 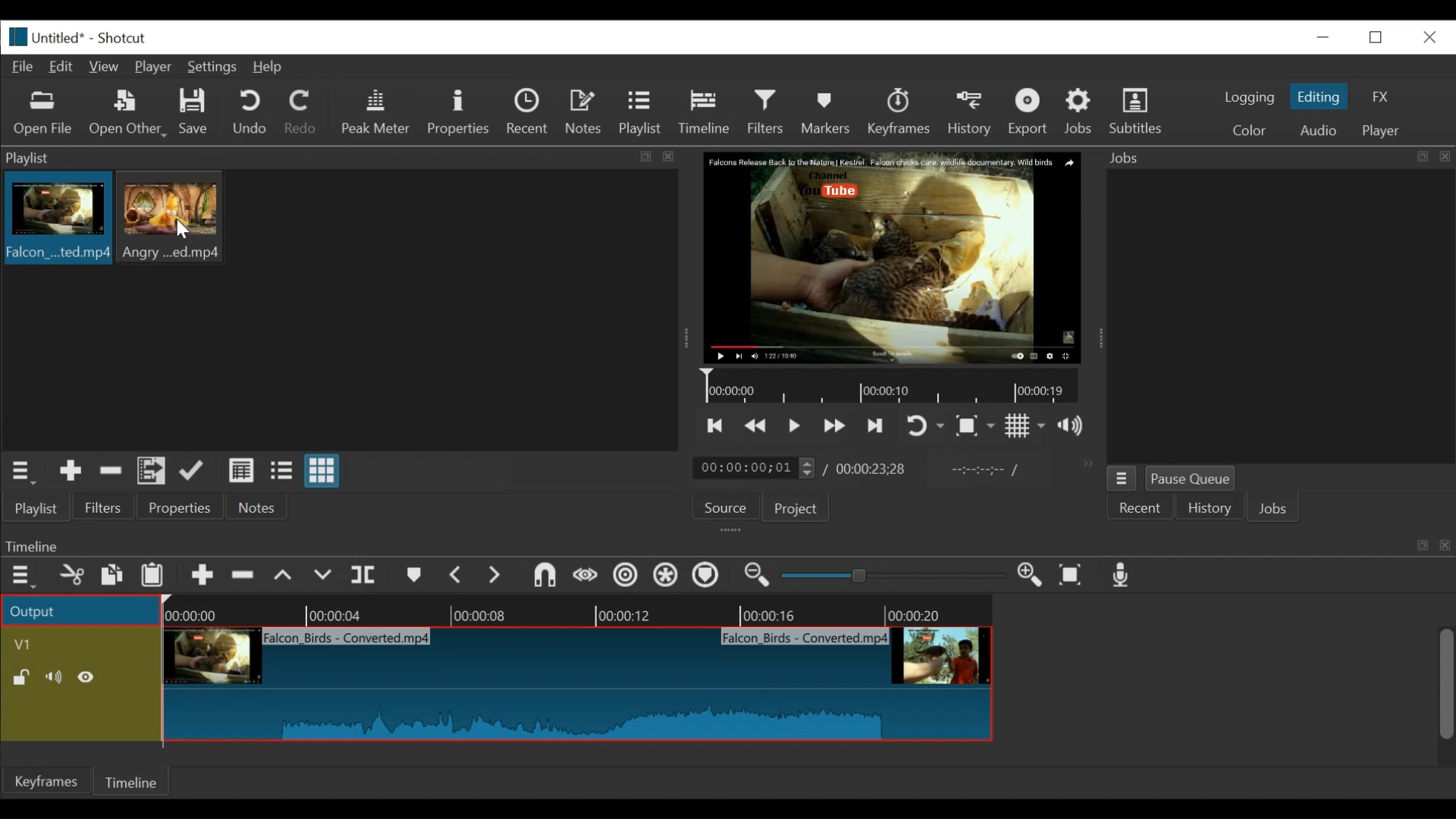 What do you see at coordinates (497, 576) in the screenshot?
I see `next marker` at bounding box center [497, 576].